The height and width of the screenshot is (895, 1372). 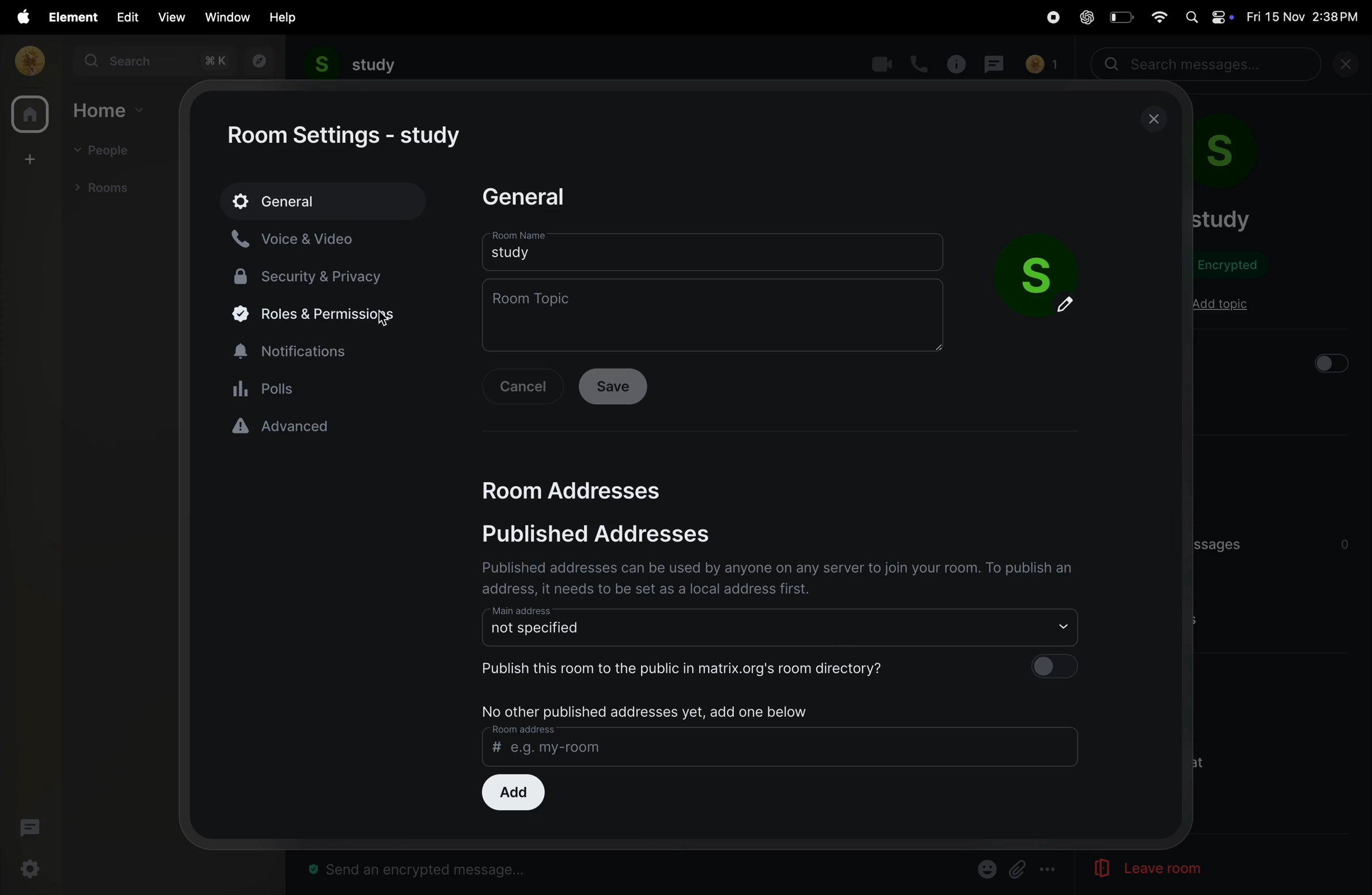 What do you see at coordinates (228, 17) in the screenshot?
I see `window` at bounding box center [228, 17].